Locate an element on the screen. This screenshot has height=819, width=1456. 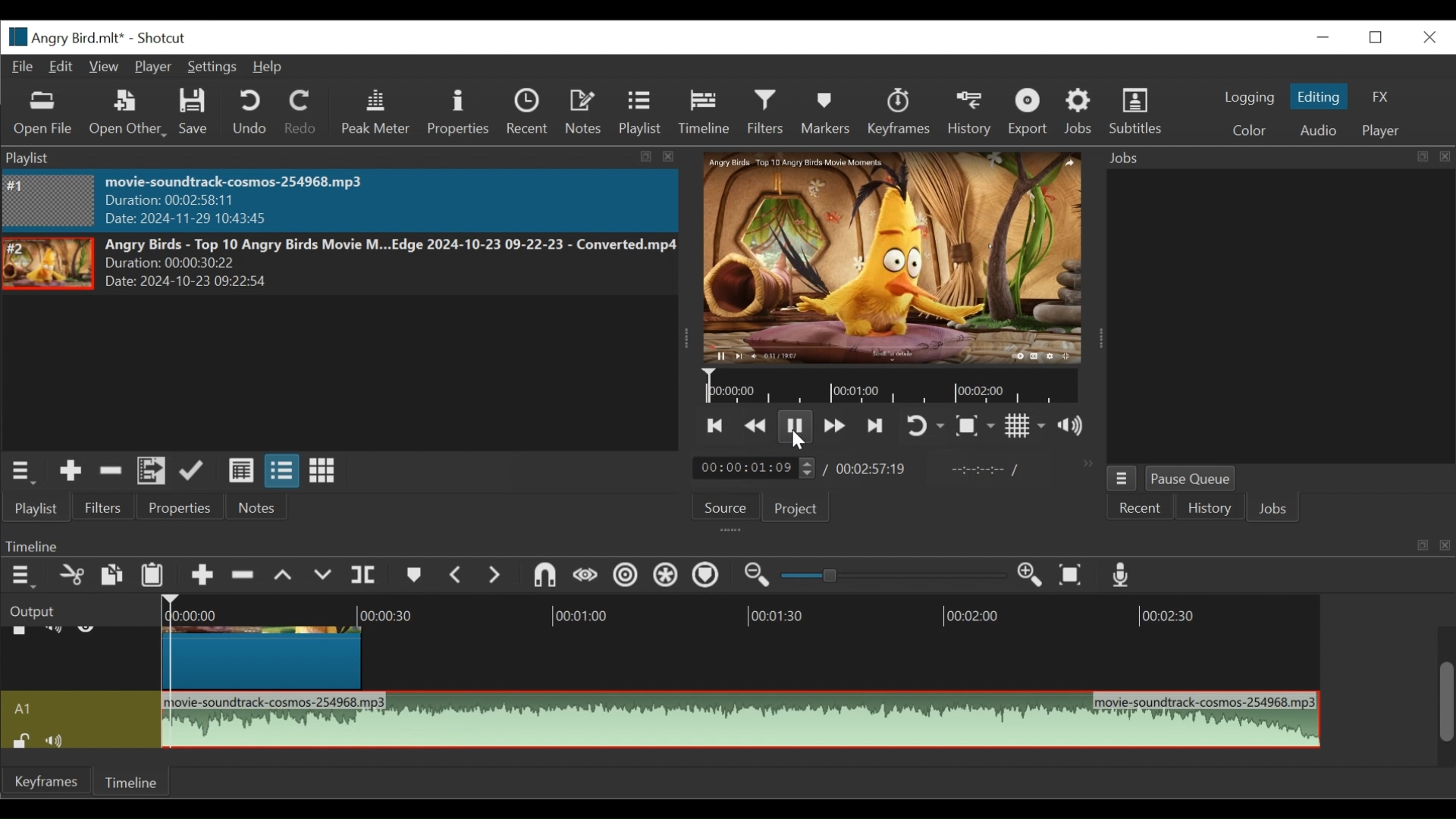
Help is located at coordinates (266, 67).